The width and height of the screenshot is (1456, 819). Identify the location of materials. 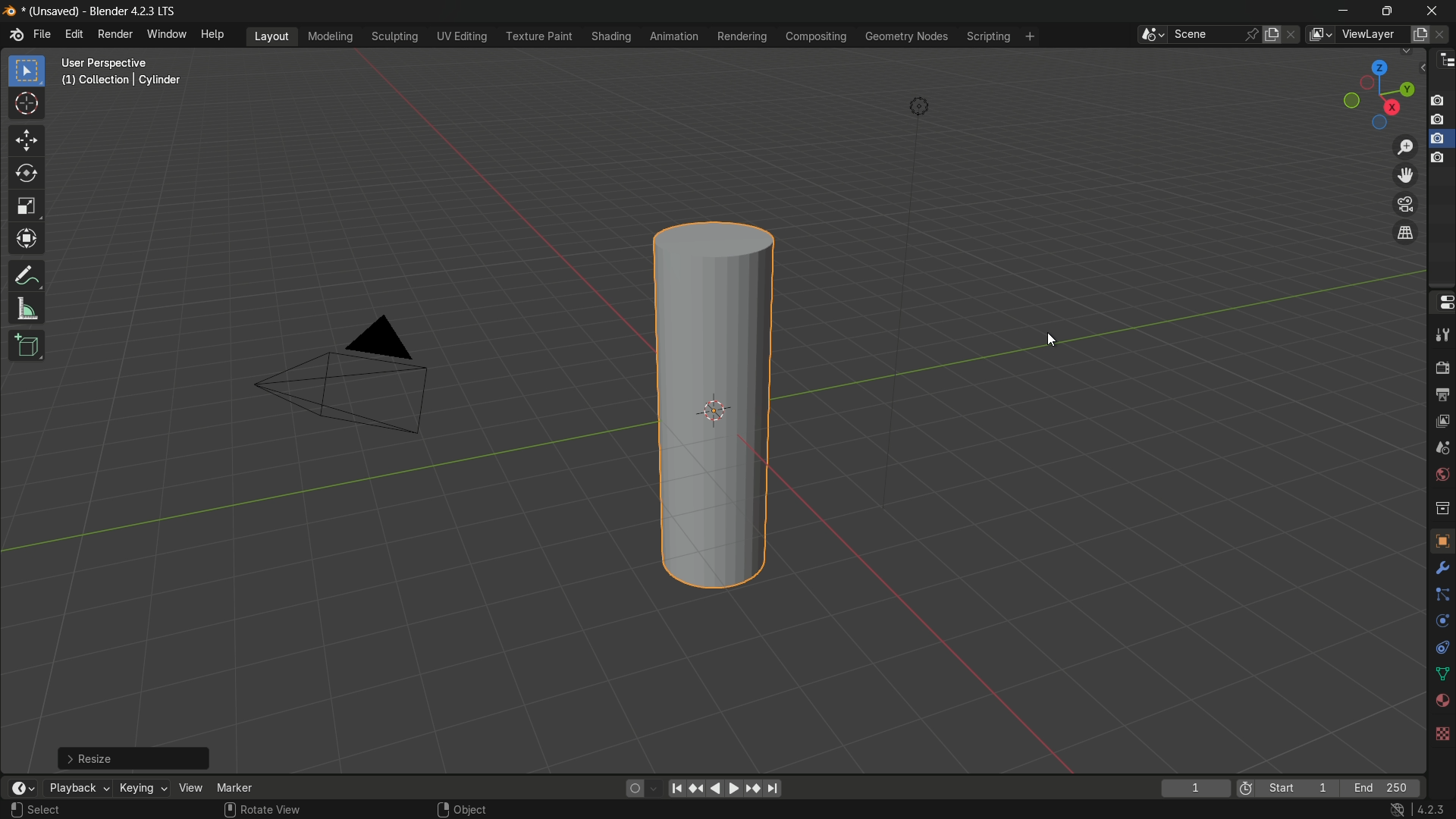
(1439, 701).